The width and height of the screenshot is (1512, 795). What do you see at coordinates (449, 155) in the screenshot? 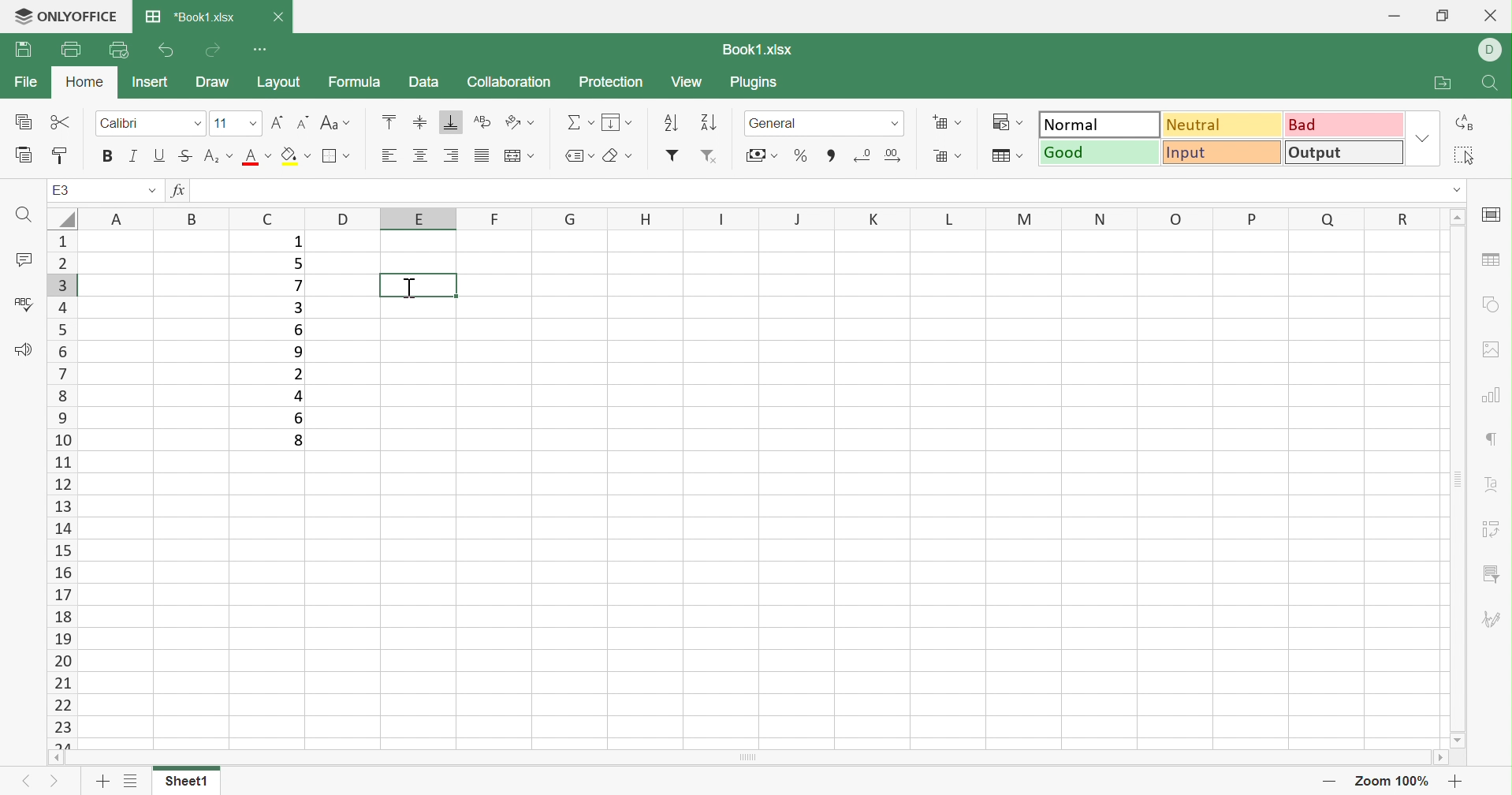
I see `Align Right` at bounding box center [449, 155].